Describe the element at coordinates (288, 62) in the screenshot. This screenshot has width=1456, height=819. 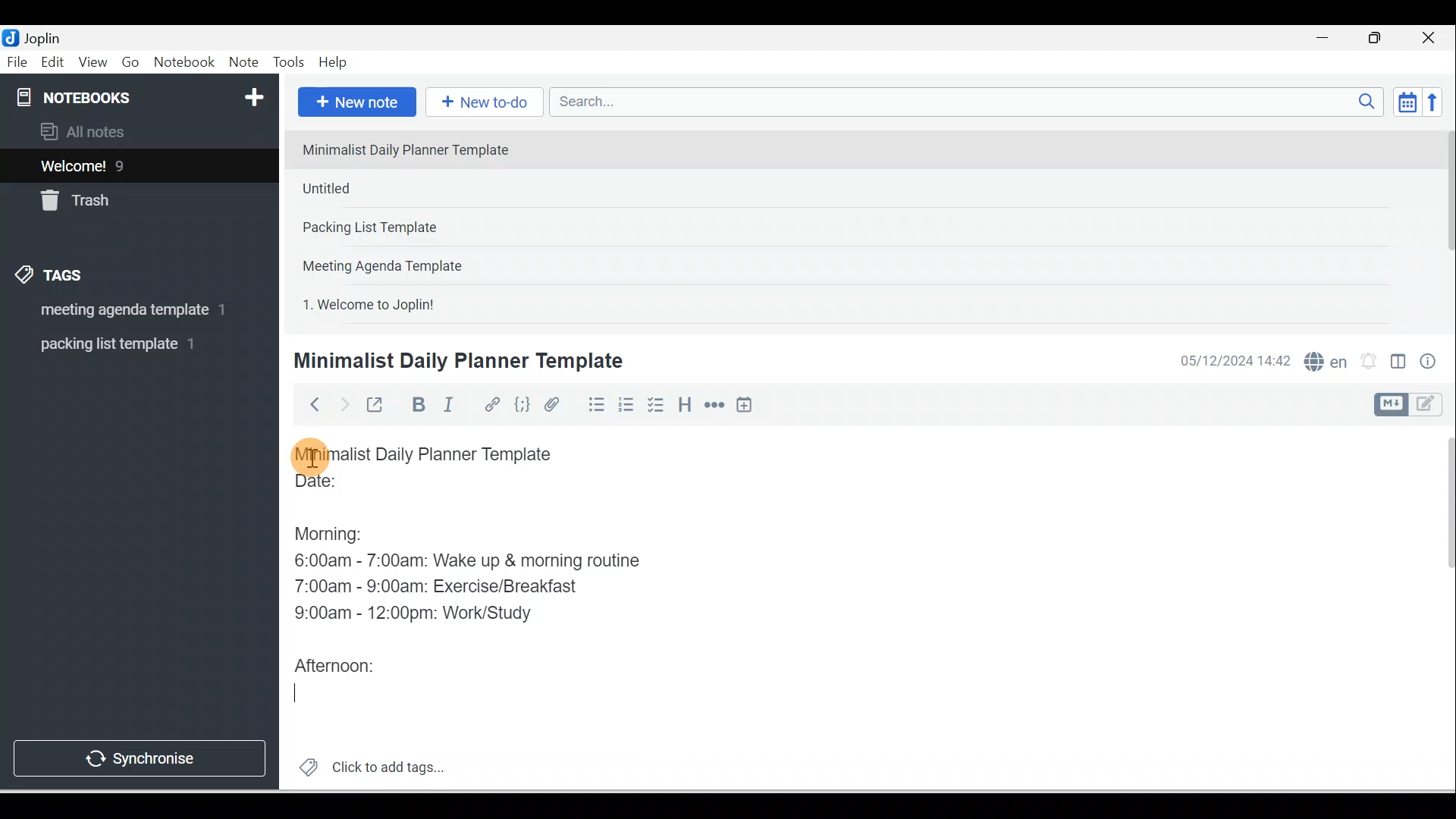
I see `Tools` at that location.